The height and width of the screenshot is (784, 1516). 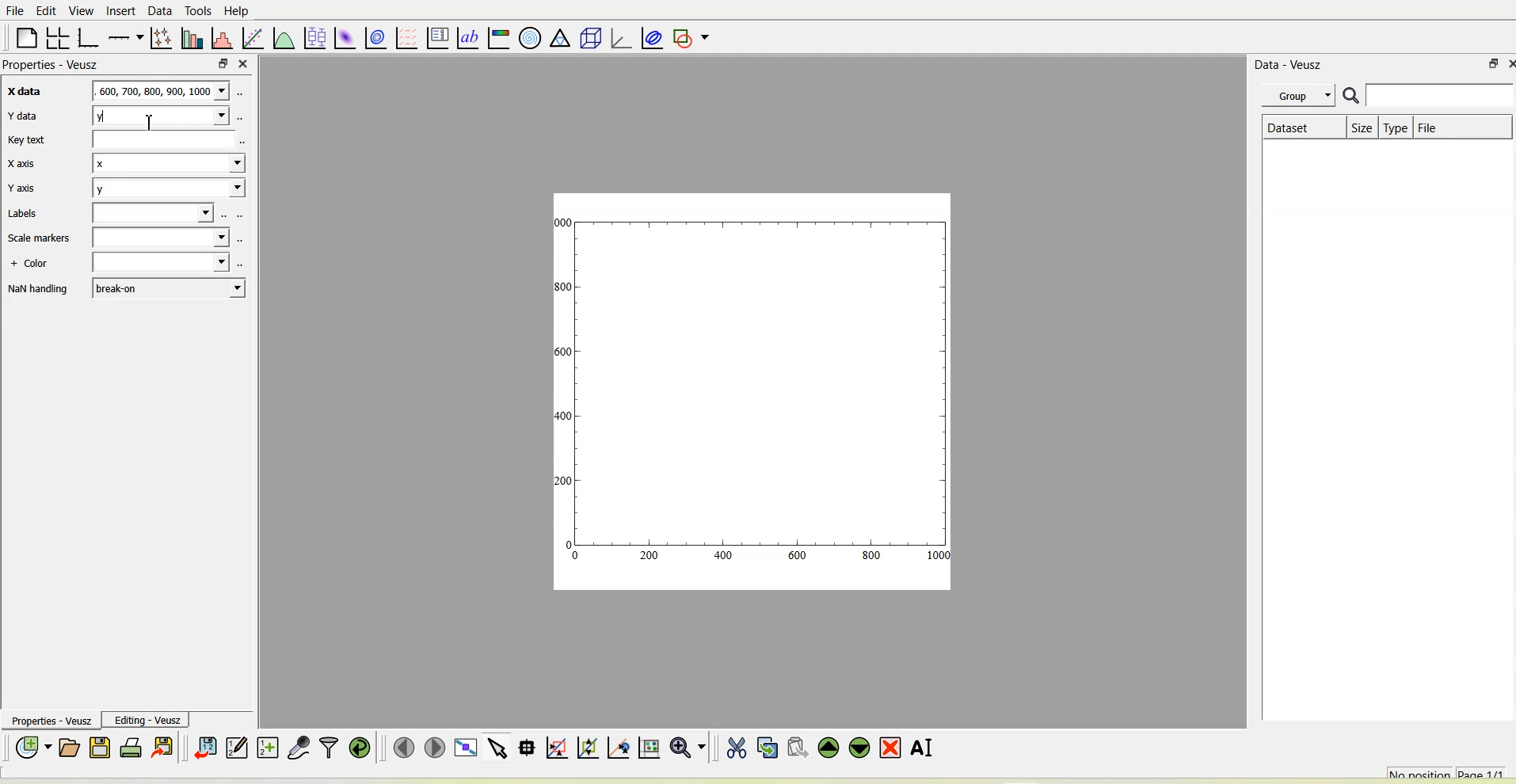 I want to click on Zoom functions menu, so click(x=688, y=748).